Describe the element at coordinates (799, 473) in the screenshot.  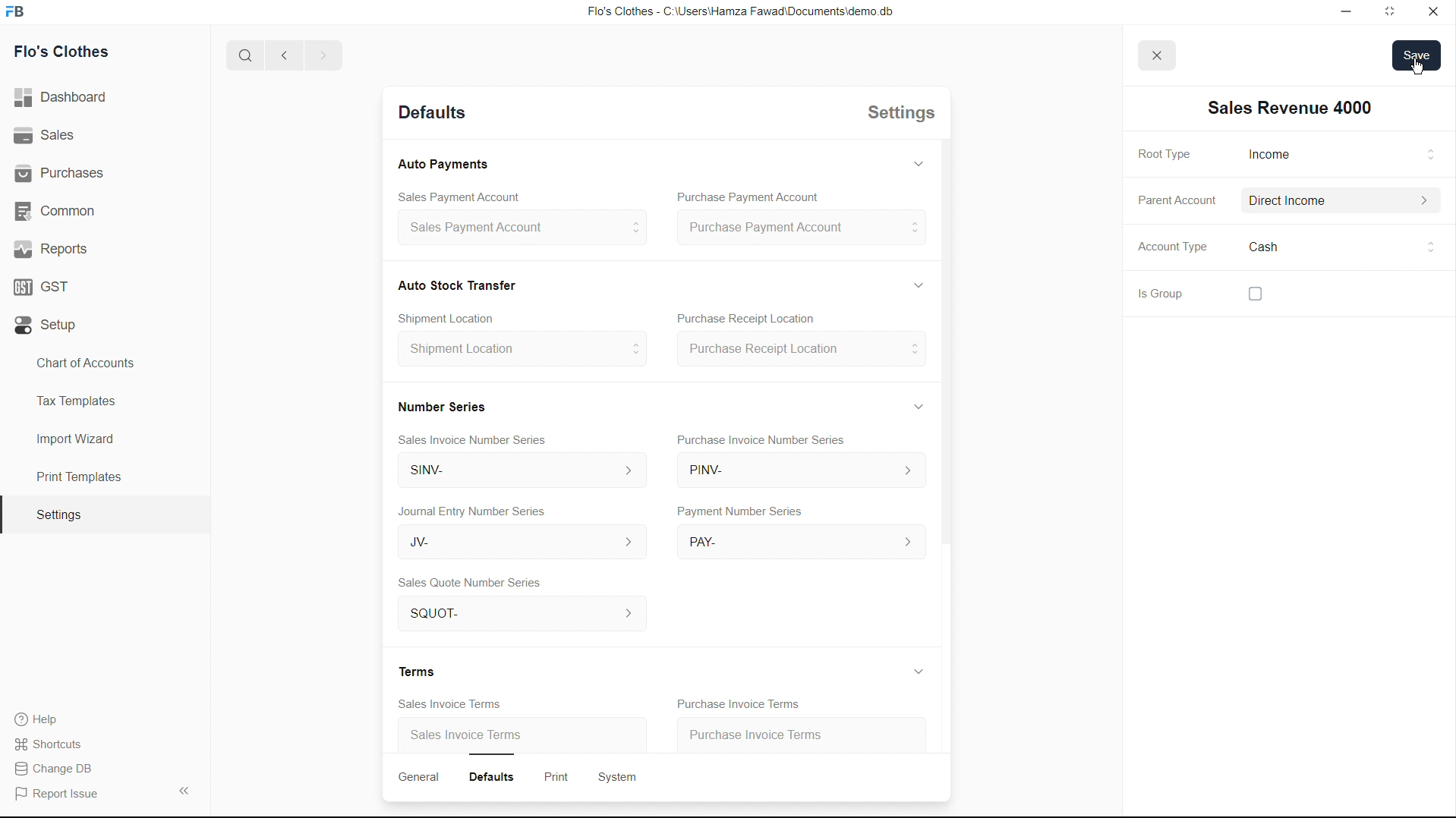
I see `PINV-` at that location.